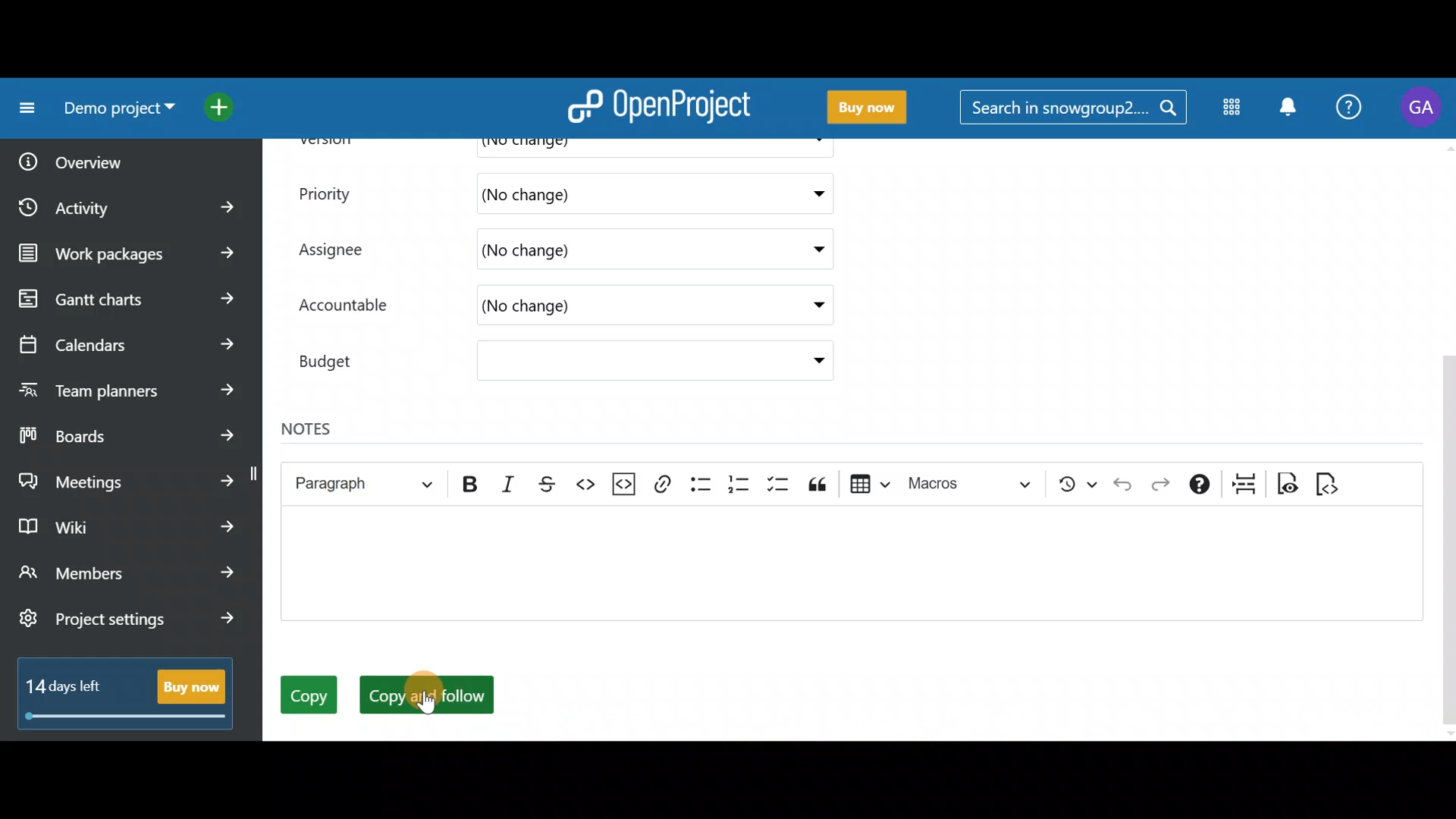 The image size is (1456, 819). I want to click on Strikethrough, so click(551, 486).